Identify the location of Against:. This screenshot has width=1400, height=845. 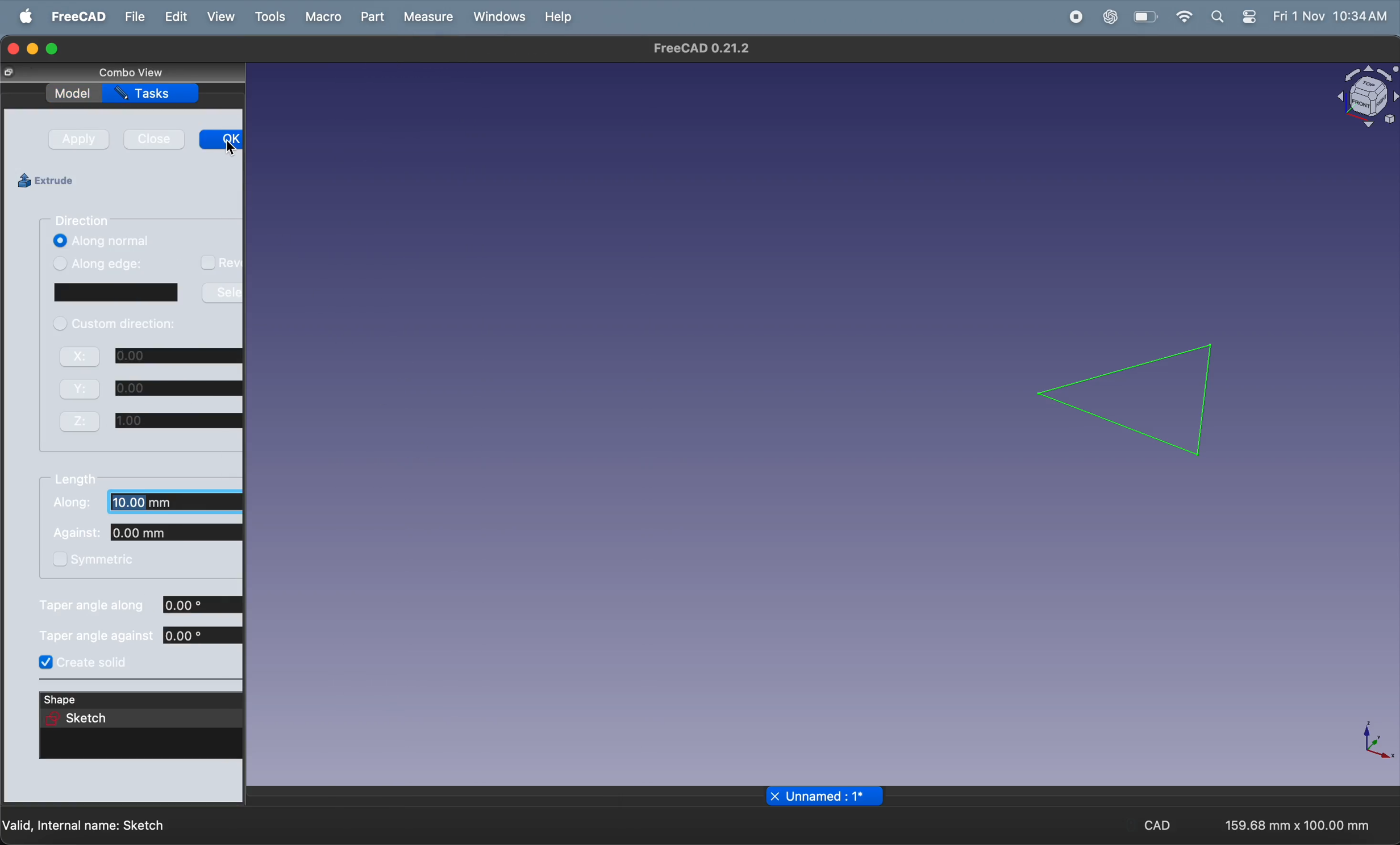
(78, 534).